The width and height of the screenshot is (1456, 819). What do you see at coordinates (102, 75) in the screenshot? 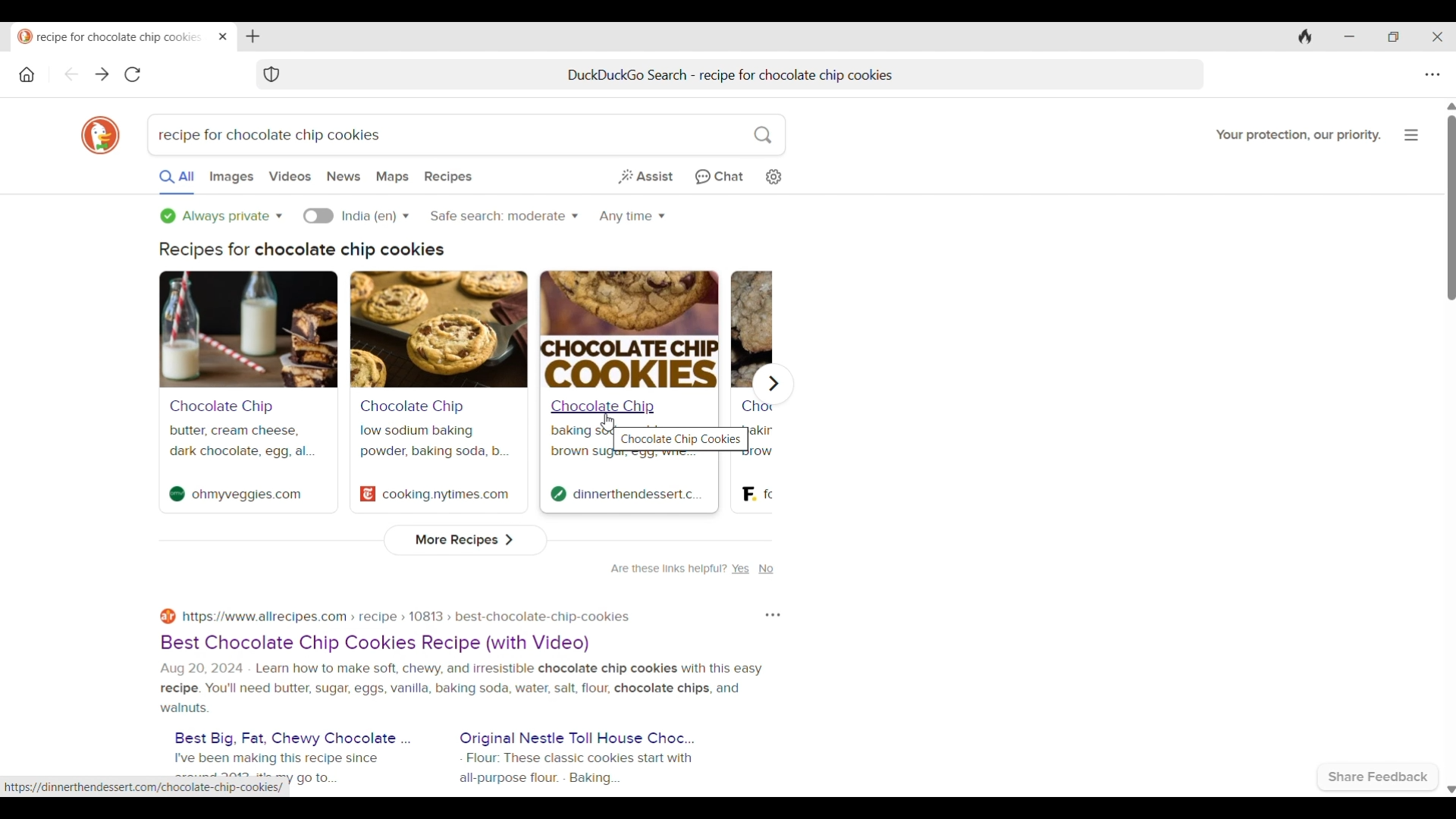
I see `Go forward` at bounding box center [102, 75].